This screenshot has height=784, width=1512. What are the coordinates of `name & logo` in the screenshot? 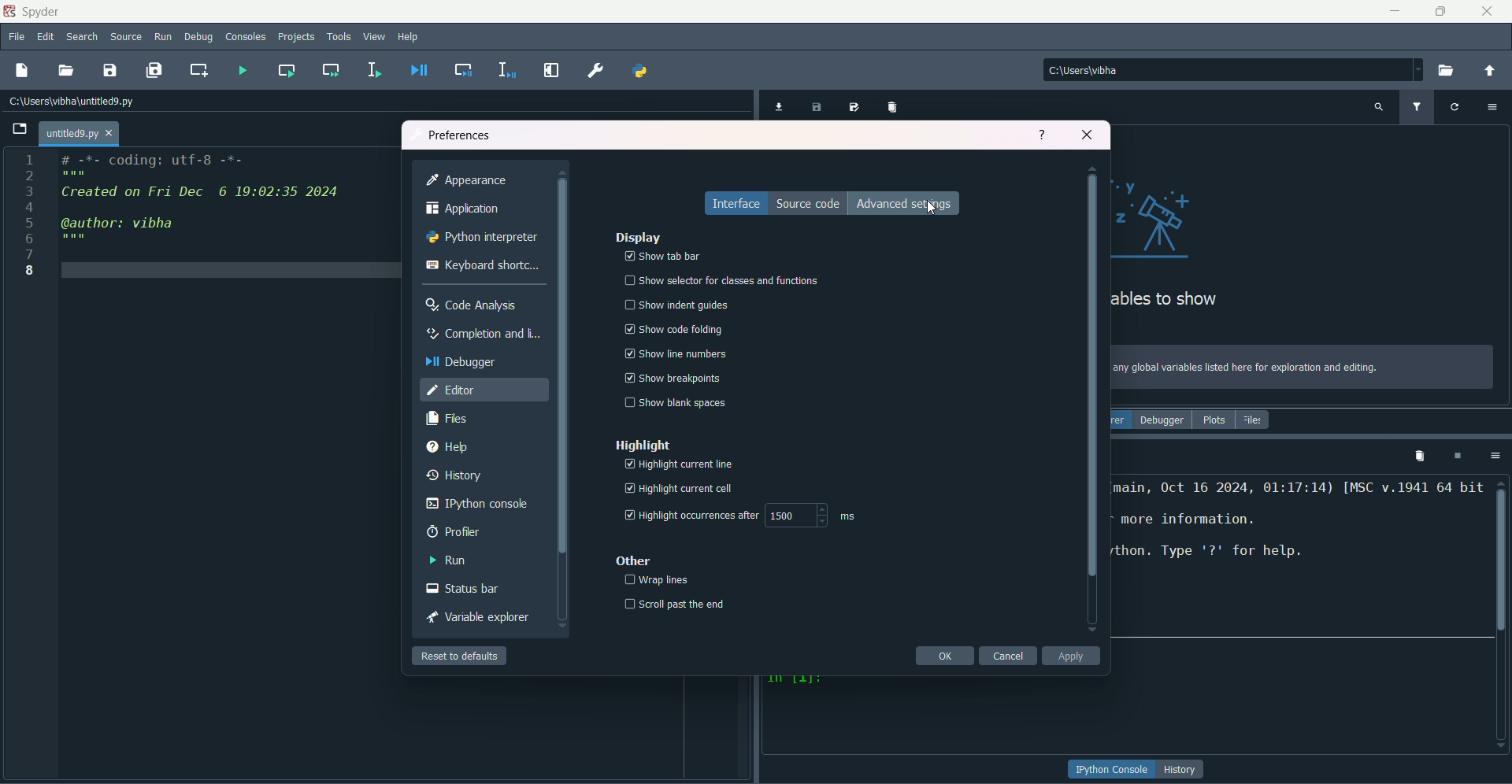 It's located at (33, 11).